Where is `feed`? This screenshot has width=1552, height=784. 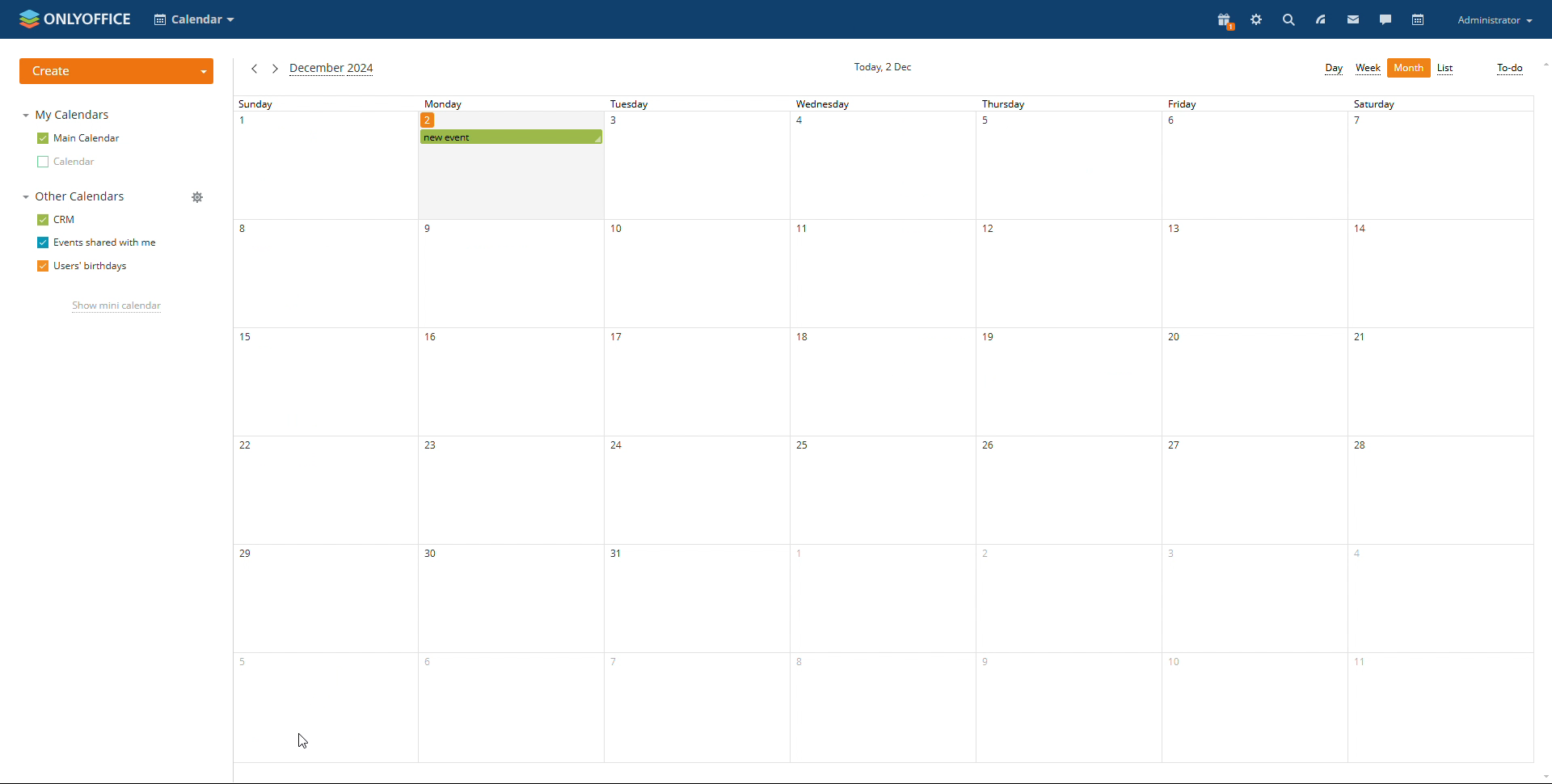
feed is located at coordinates (1321, 21).